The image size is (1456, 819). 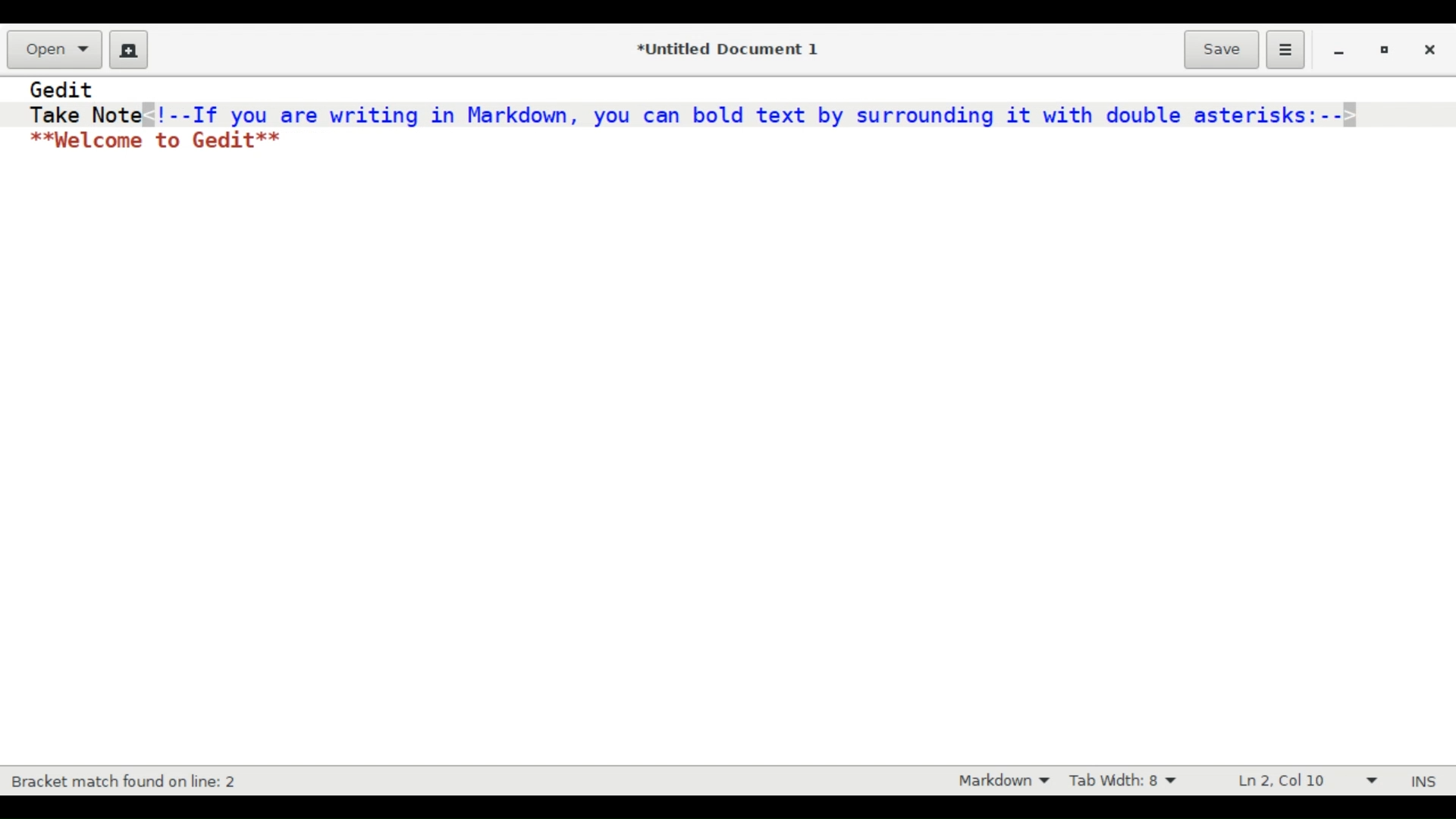 What do you see at coordinates (83, 114) in the screenshot?
I see `comment added "Take Note"` at bounding box center [83, 114].